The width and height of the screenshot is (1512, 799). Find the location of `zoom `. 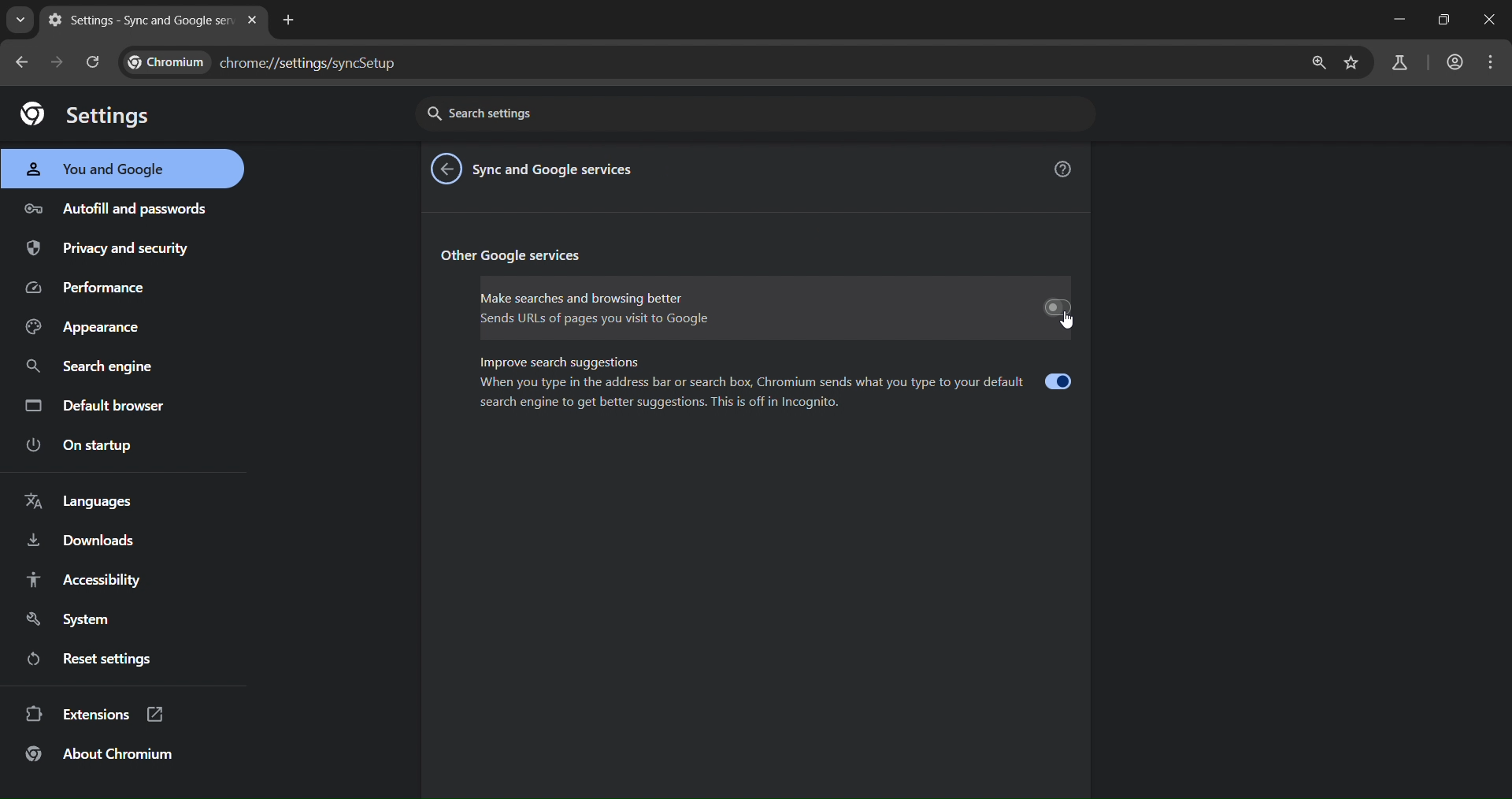

zoom  is located at coordinates (1317, 65).